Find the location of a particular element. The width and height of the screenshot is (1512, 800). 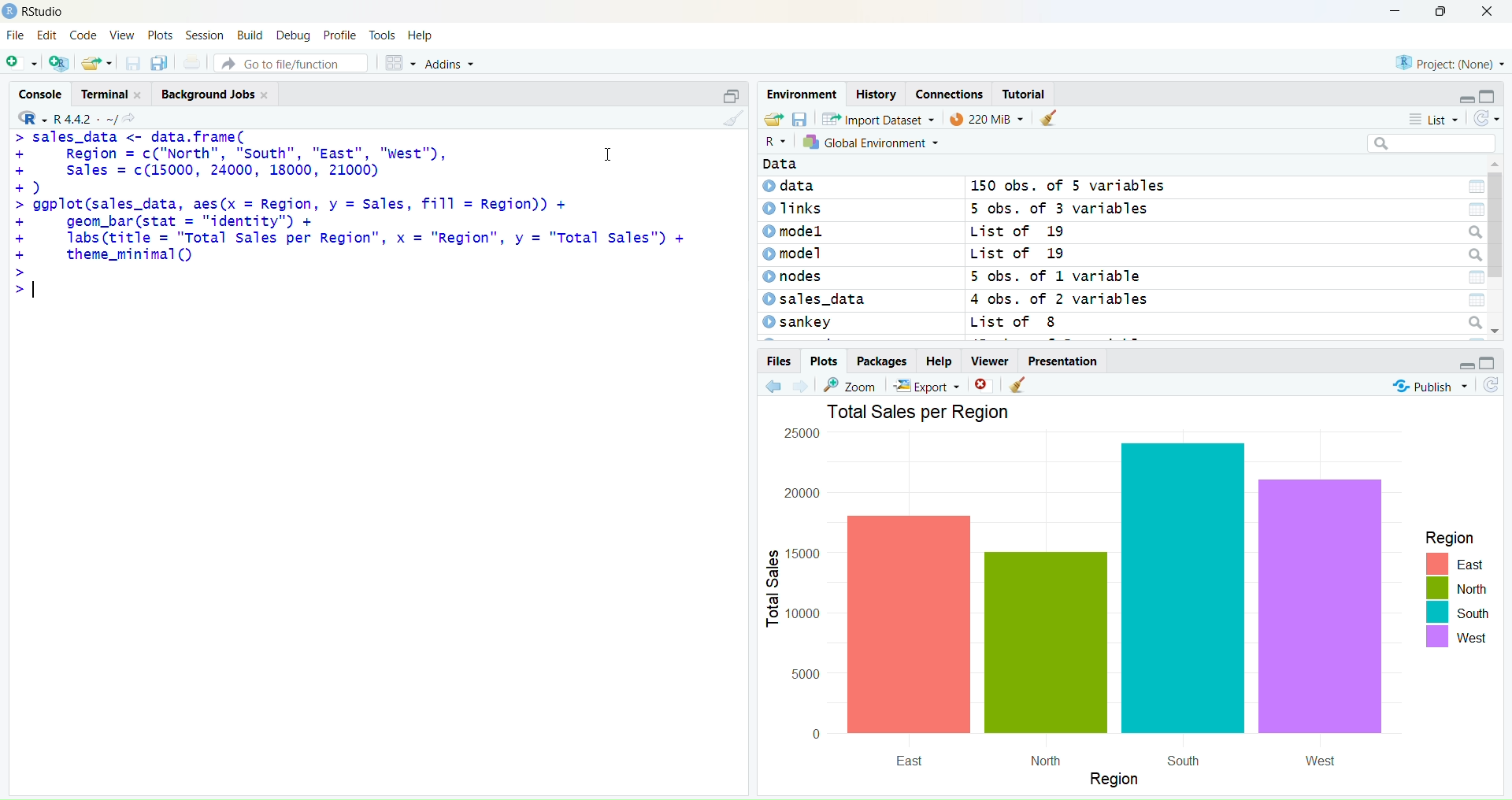

List is located at coordinates (1434, 120).